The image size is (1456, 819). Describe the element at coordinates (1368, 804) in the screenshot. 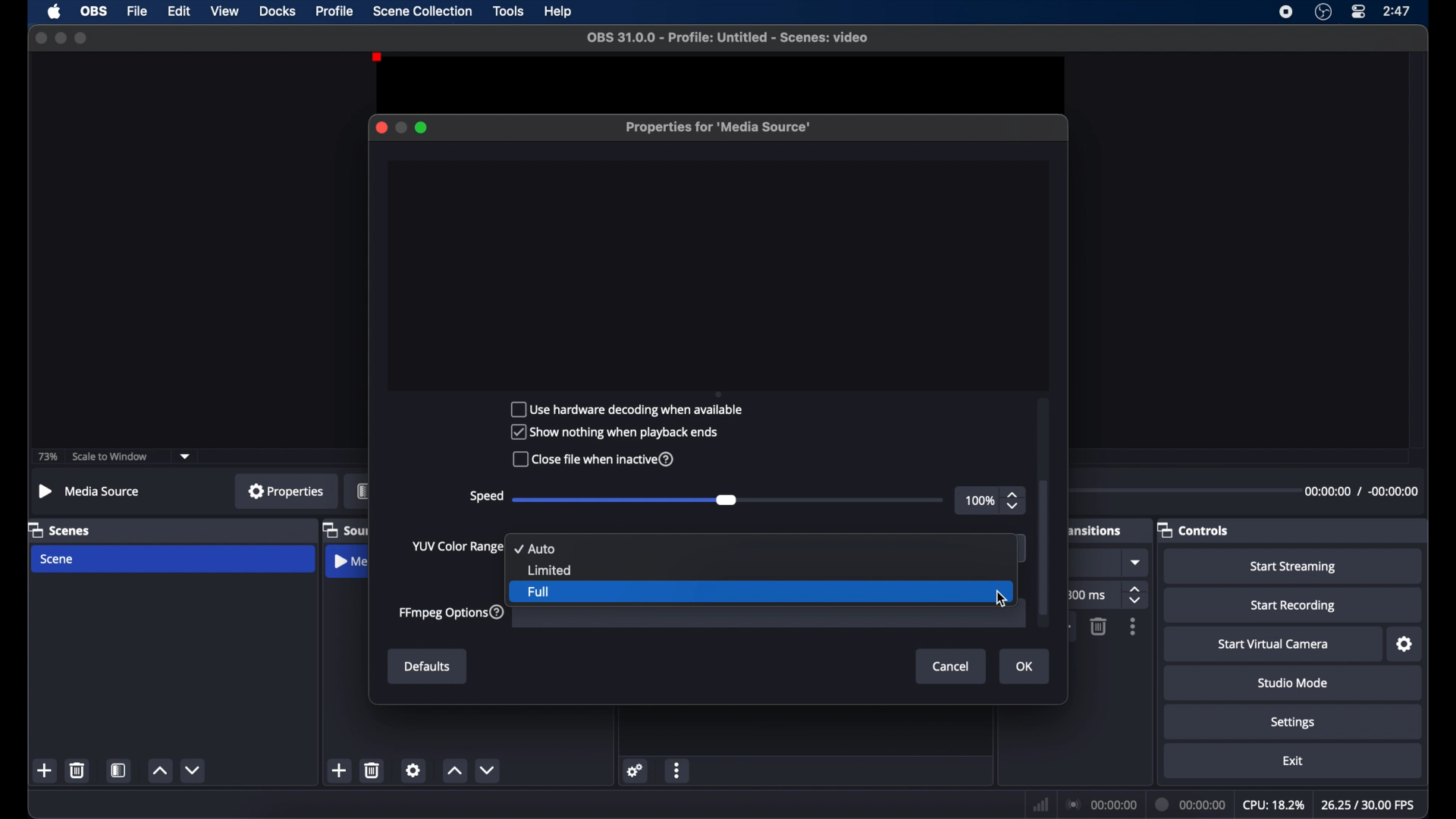

I see `fps` at that location.